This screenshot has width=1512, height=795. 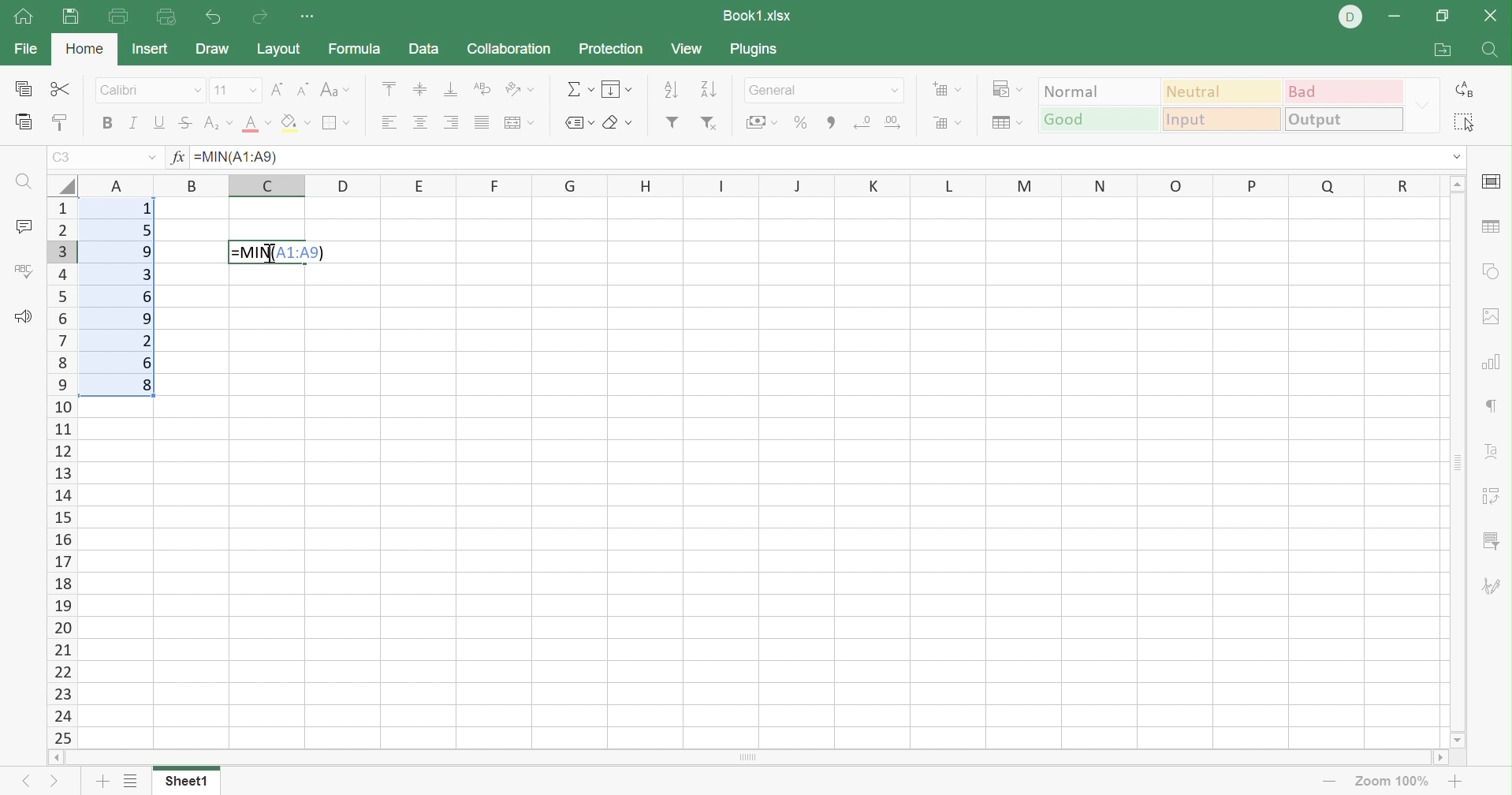 I want to click on C3, so click(x=68, y=157).